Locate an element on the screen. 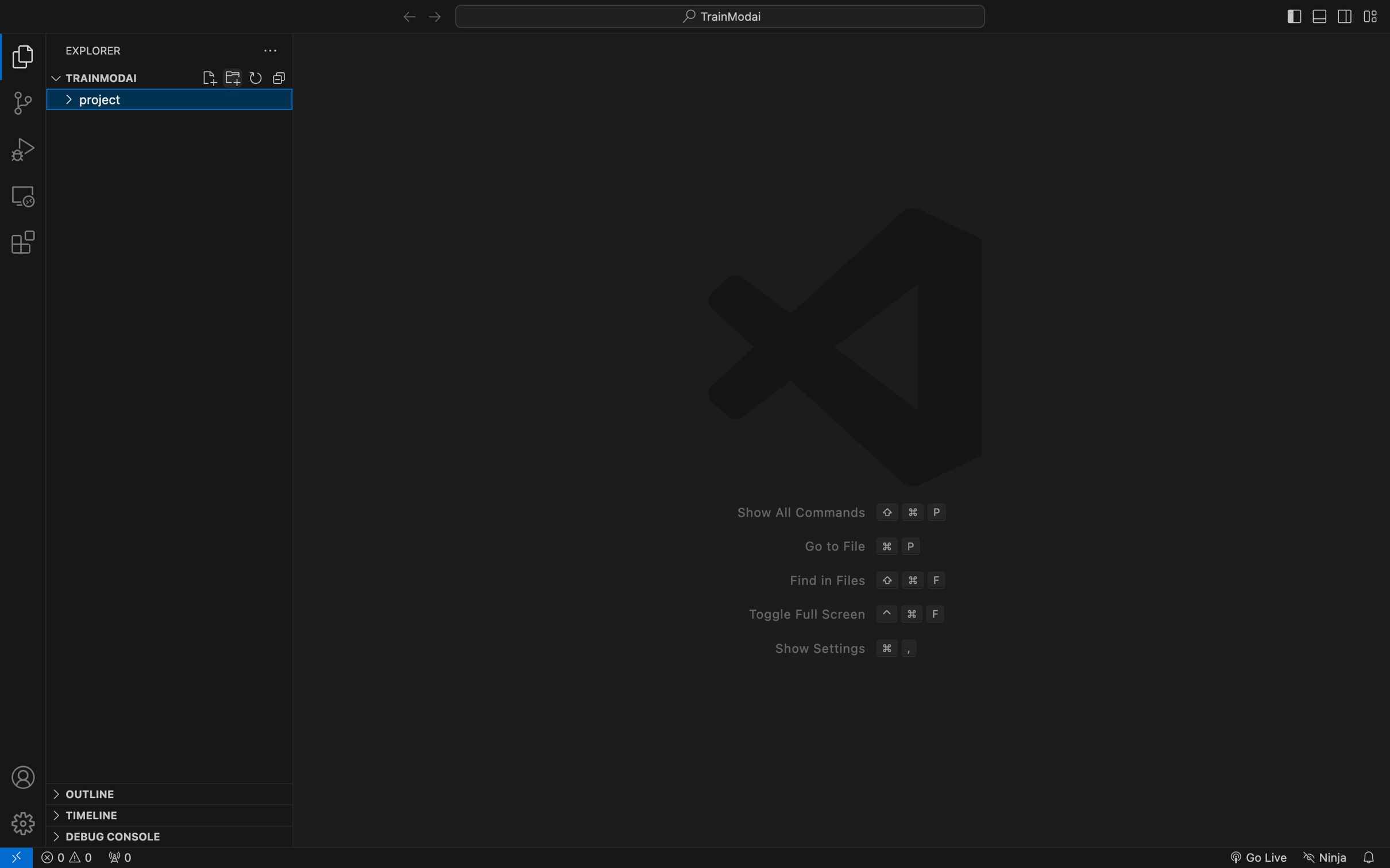 The width and height of the screenshot is (1390, 868). 0 is located at coordinates (118, 858).